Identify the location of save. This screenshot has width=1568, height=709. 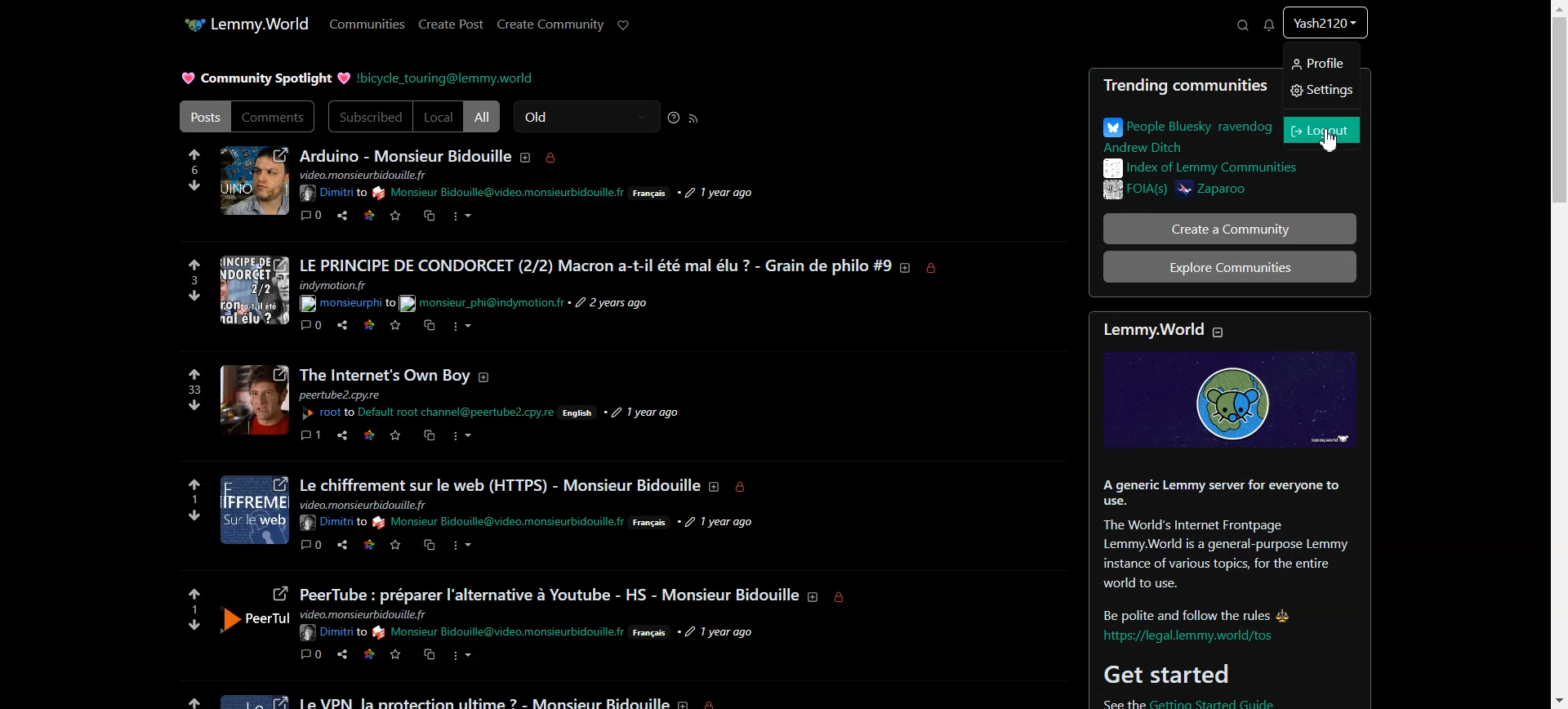
(397, 654).